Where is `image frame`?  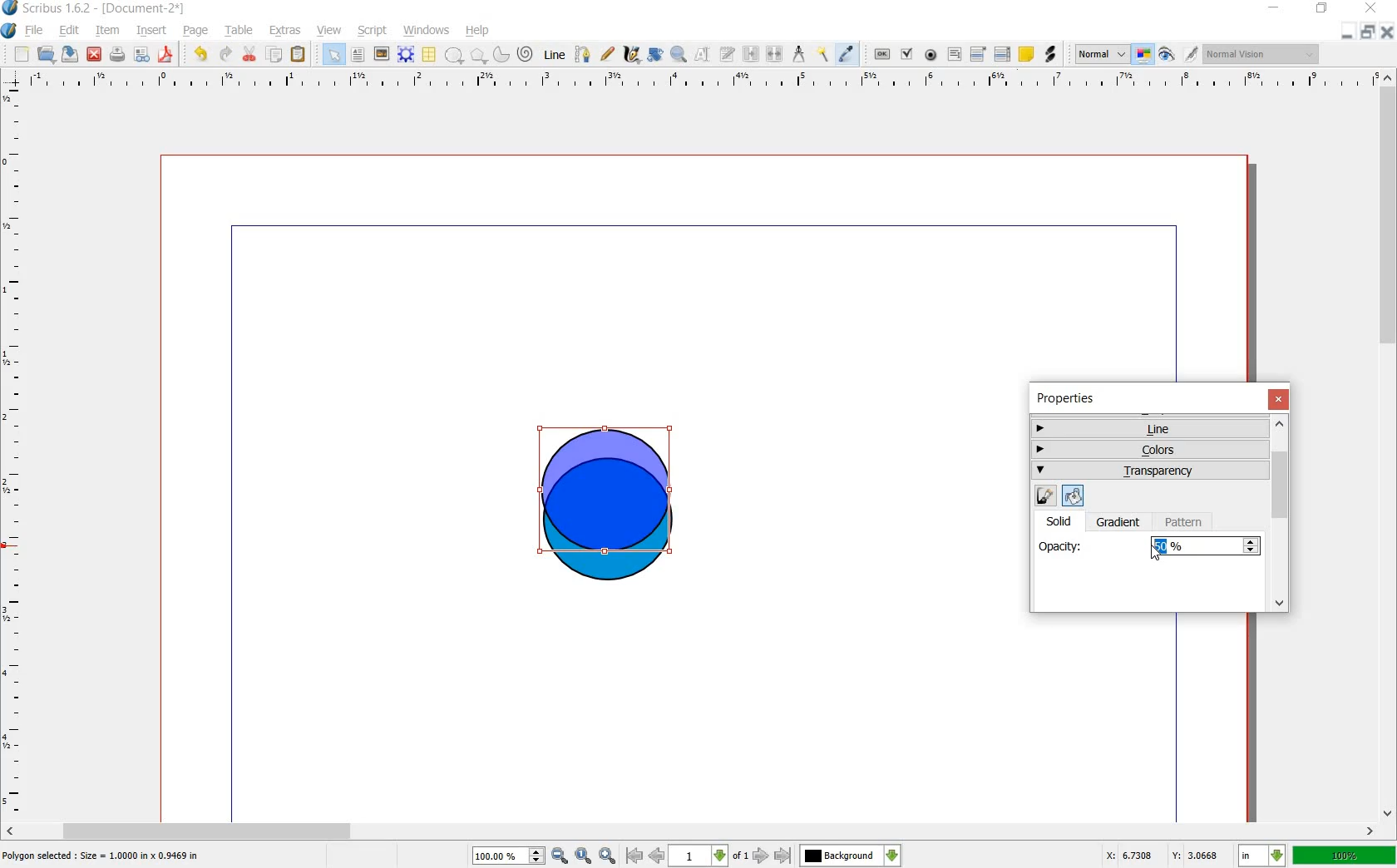 image frame is located at coordinates (381, 54).